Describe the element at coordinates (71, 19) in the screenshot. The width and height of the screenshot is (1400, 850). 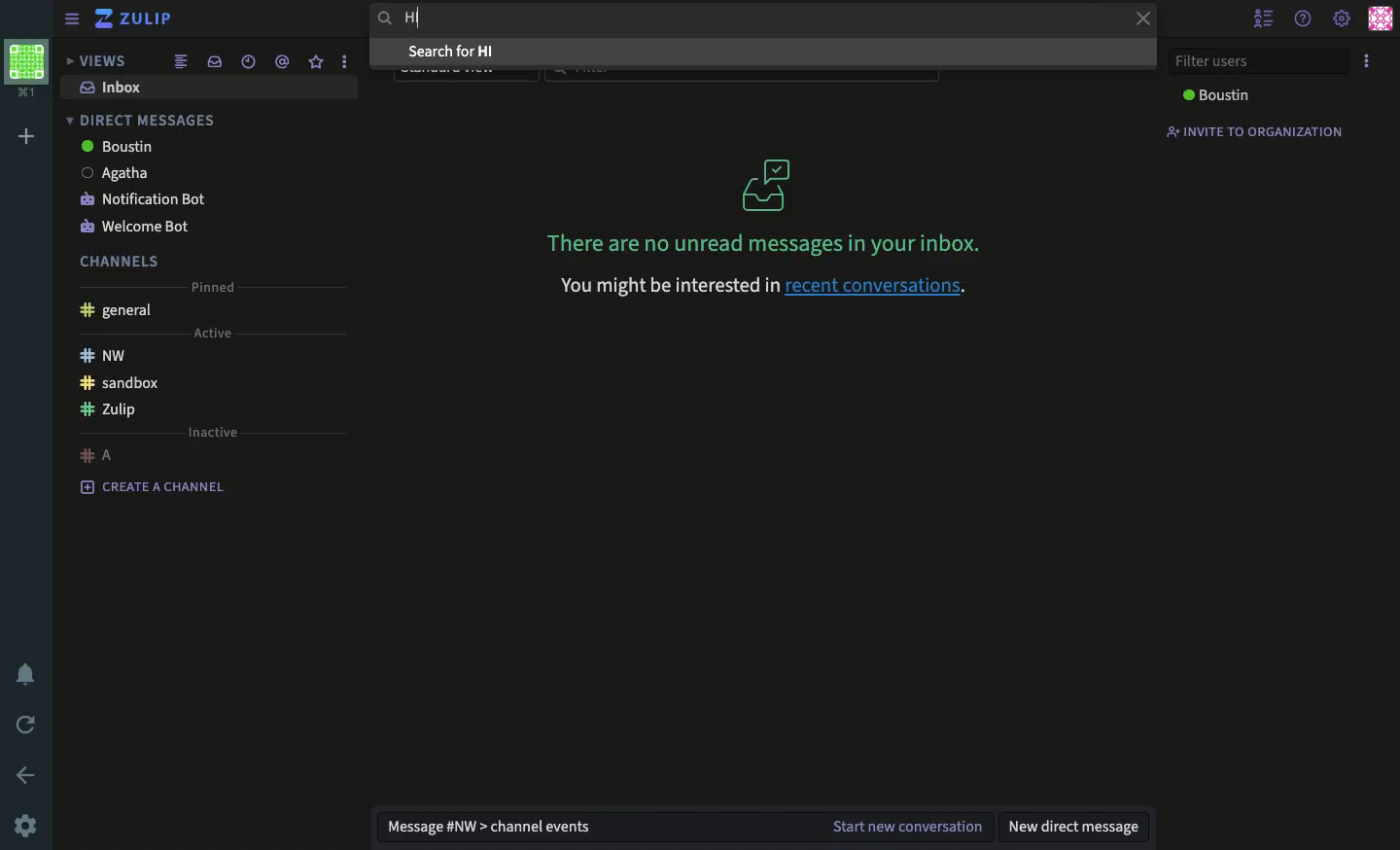
I see `sidebar` at that location.